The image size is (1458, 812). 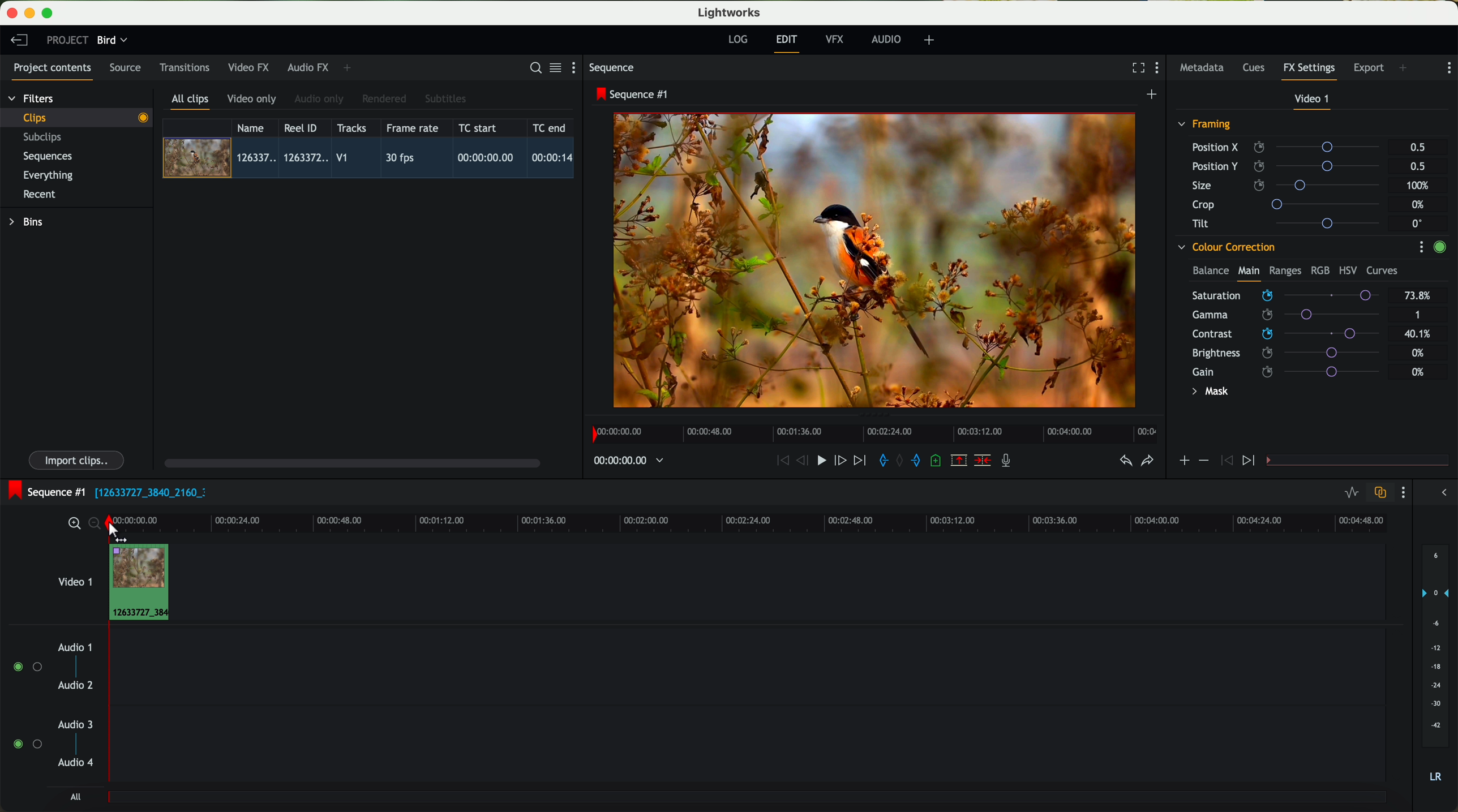 I want to click on 0.5, so click(x=1417, y=166).